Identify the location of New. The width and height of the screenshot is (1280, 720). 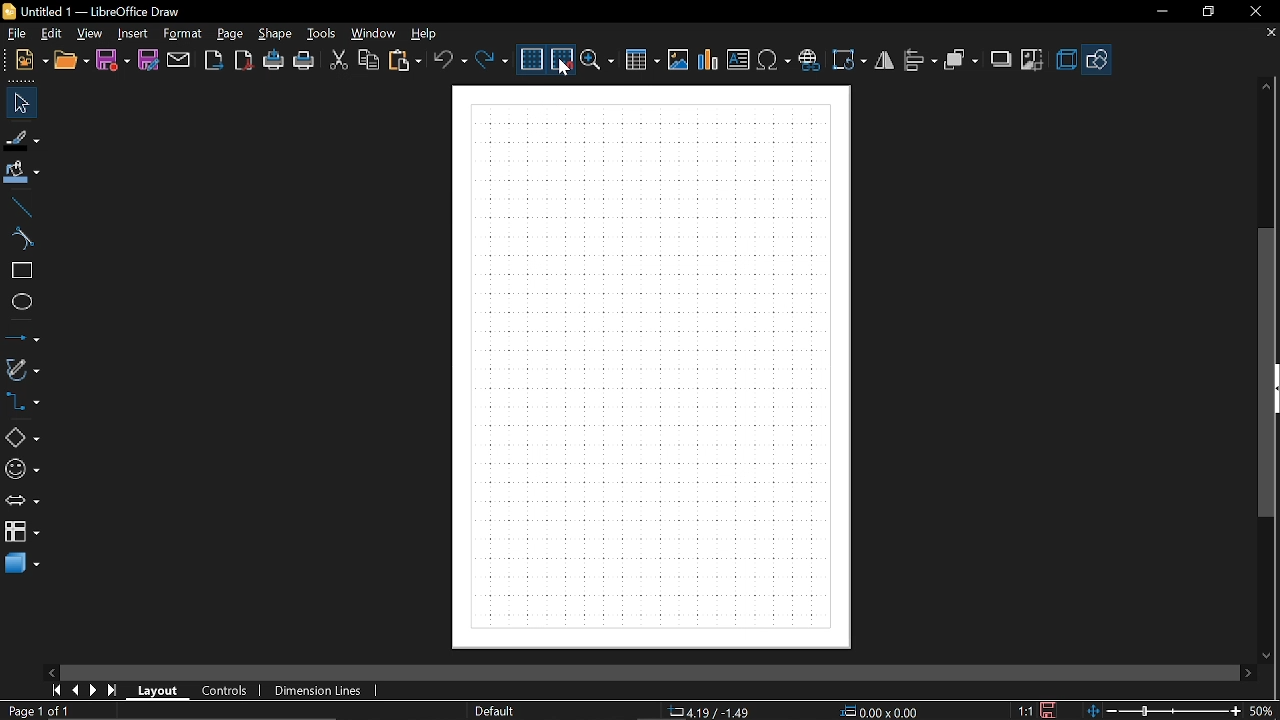
(29, 62).